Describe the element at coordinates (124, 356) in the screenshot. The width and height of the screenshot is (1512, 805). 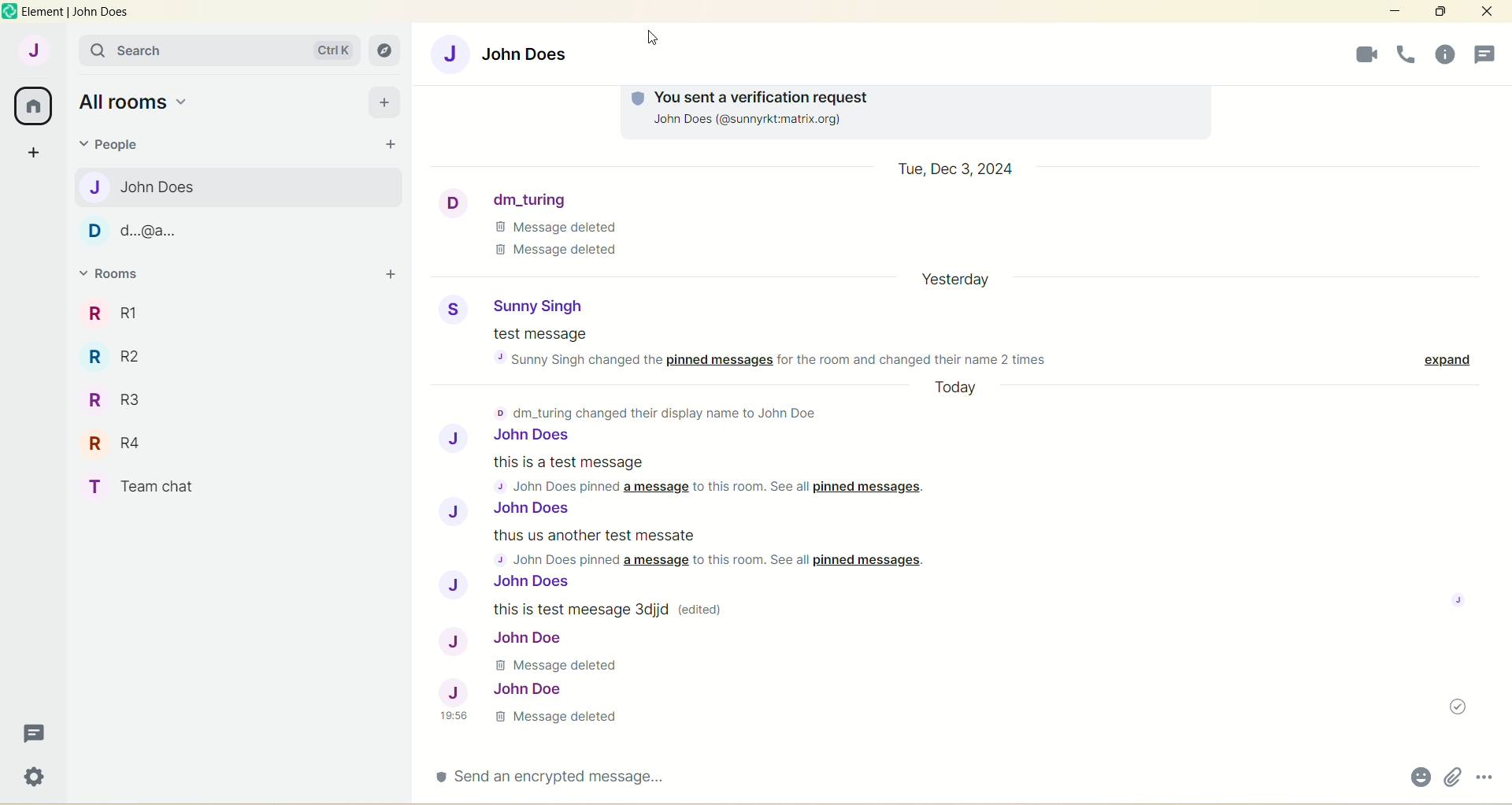
I see `R R2` at that location.